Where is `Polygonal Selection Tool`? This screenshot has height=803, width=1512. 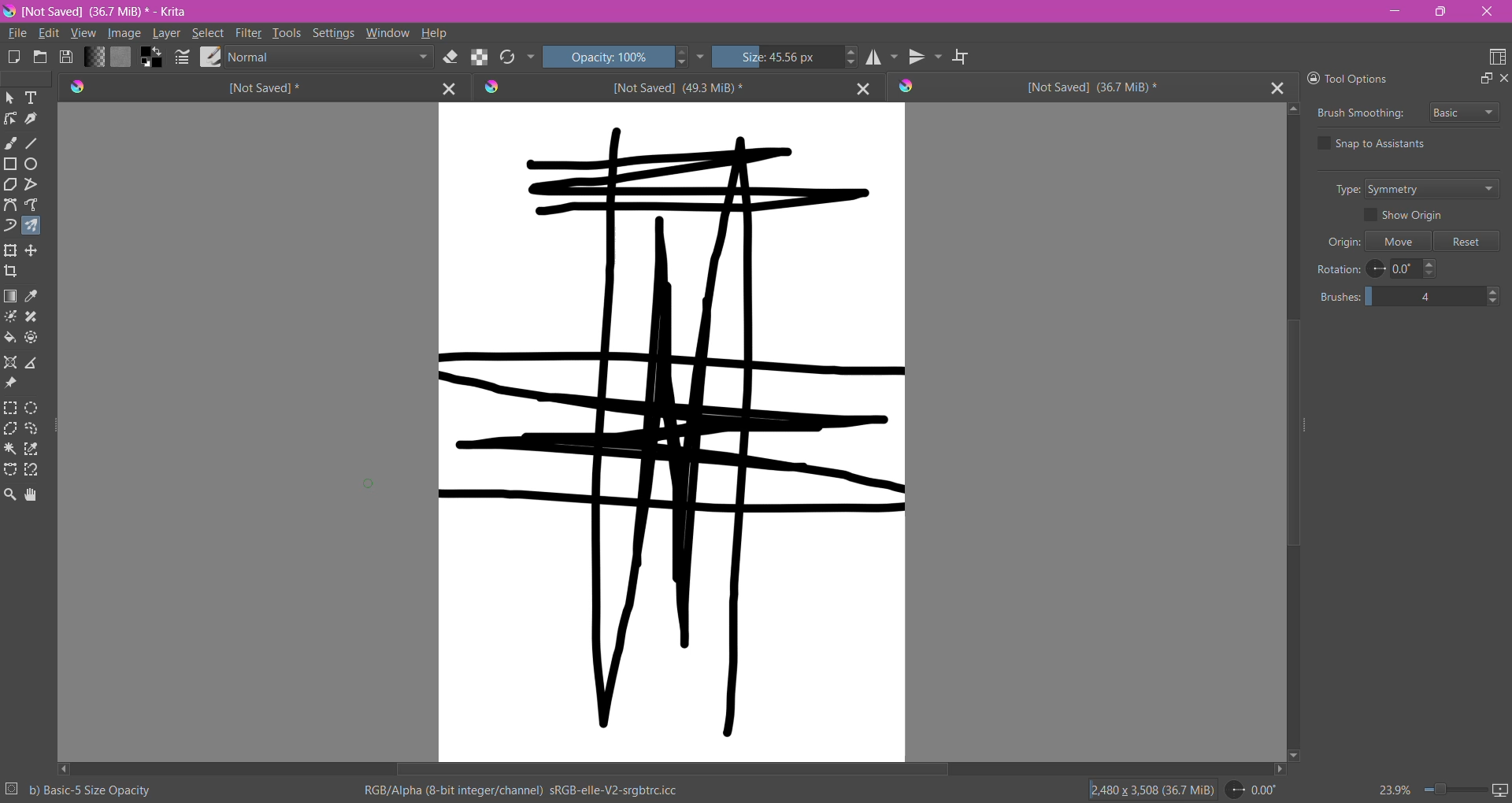
Polygonal Selection Tool is located at coordinates (11, 428).